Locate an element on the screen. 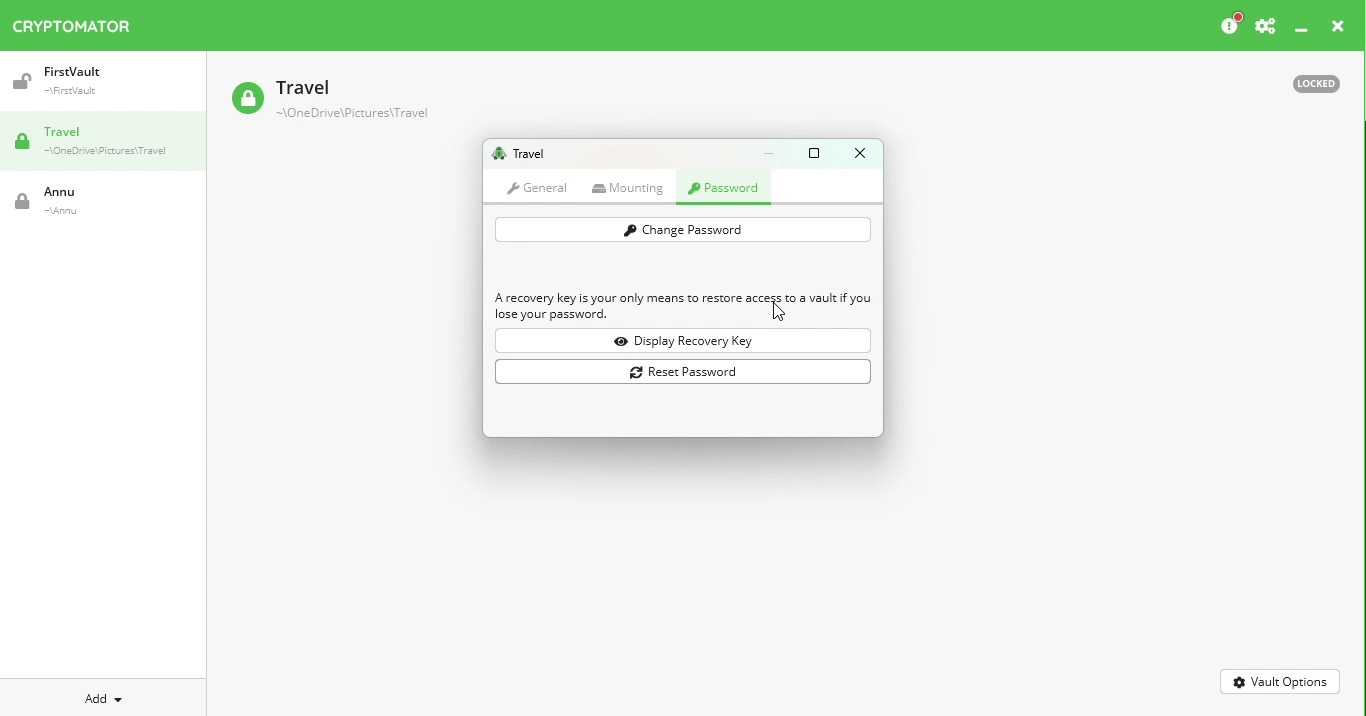 The width and height of the screenshot is (1366, 716). Reset password is located at coordinates (687, 373).